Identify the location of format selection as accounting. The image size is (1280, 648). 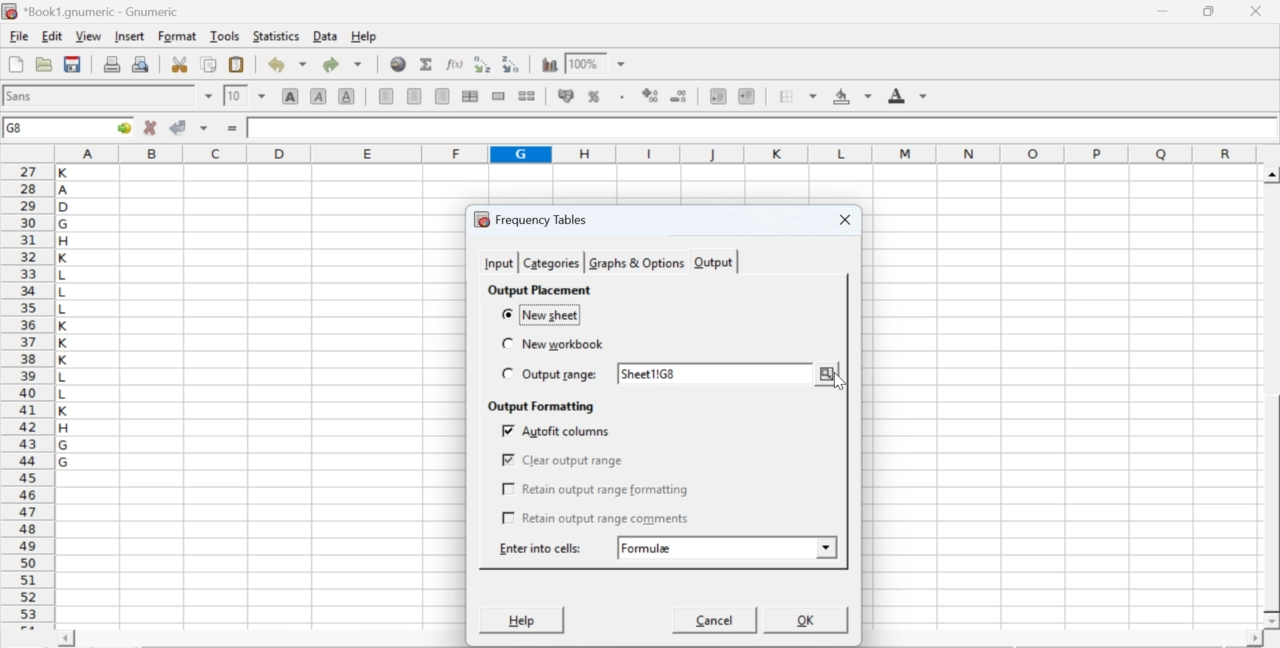
(566, 95).